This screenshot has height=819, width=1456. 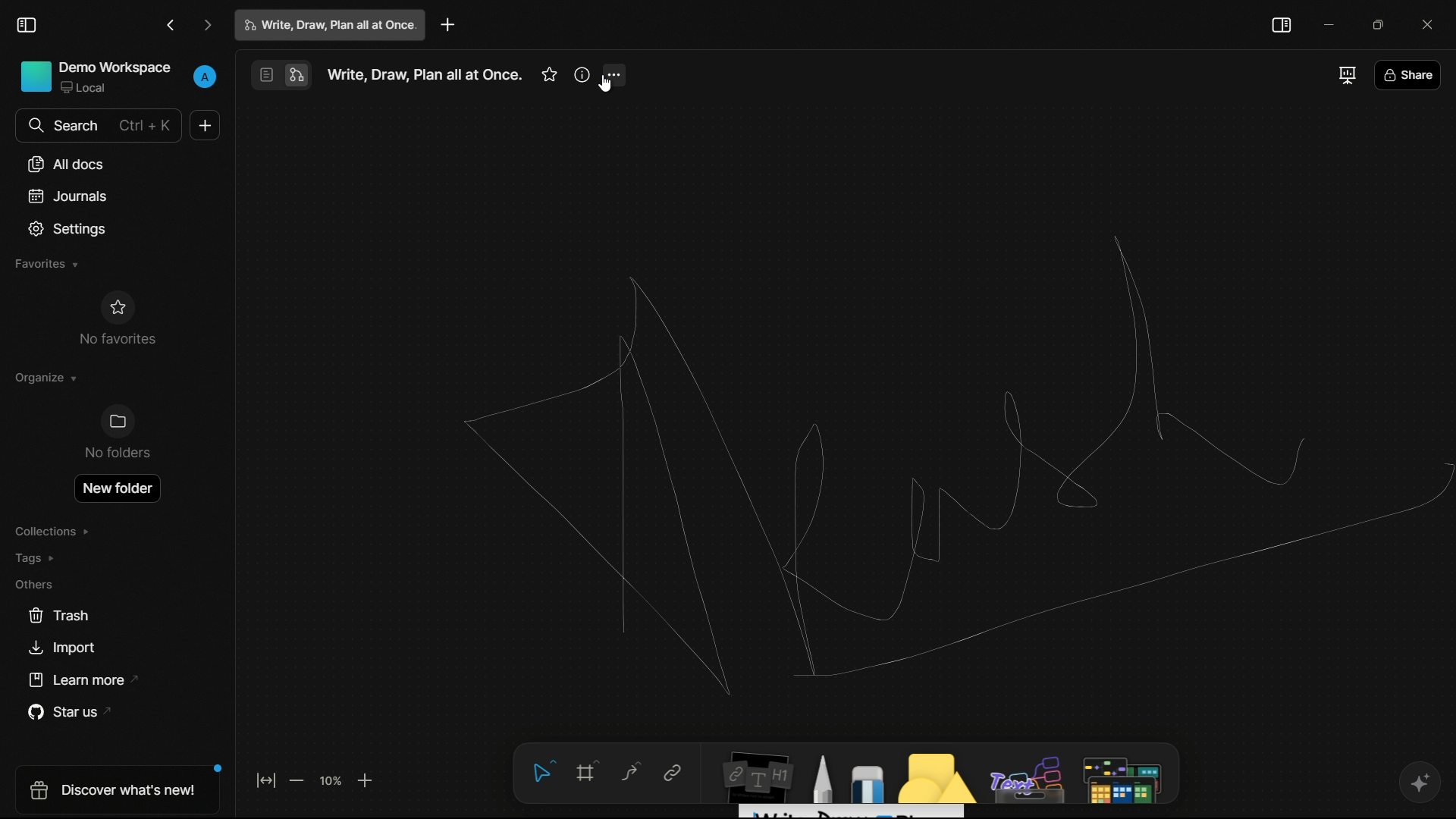 What do you see at coordinates (1028, 775) in the screenshot?
I see `others` at bounding box center [1028, 775].